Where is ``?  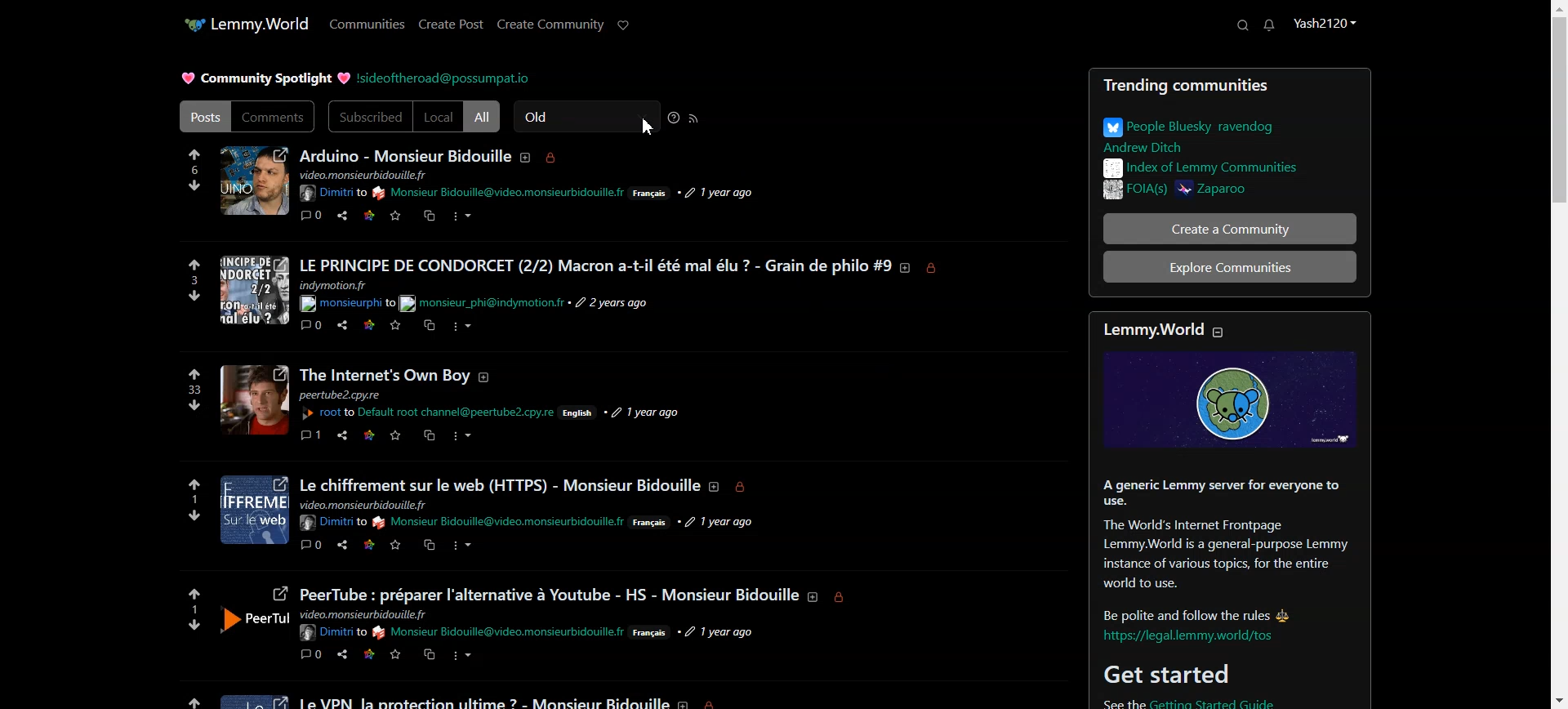
 is located at coordinates (385, 376).